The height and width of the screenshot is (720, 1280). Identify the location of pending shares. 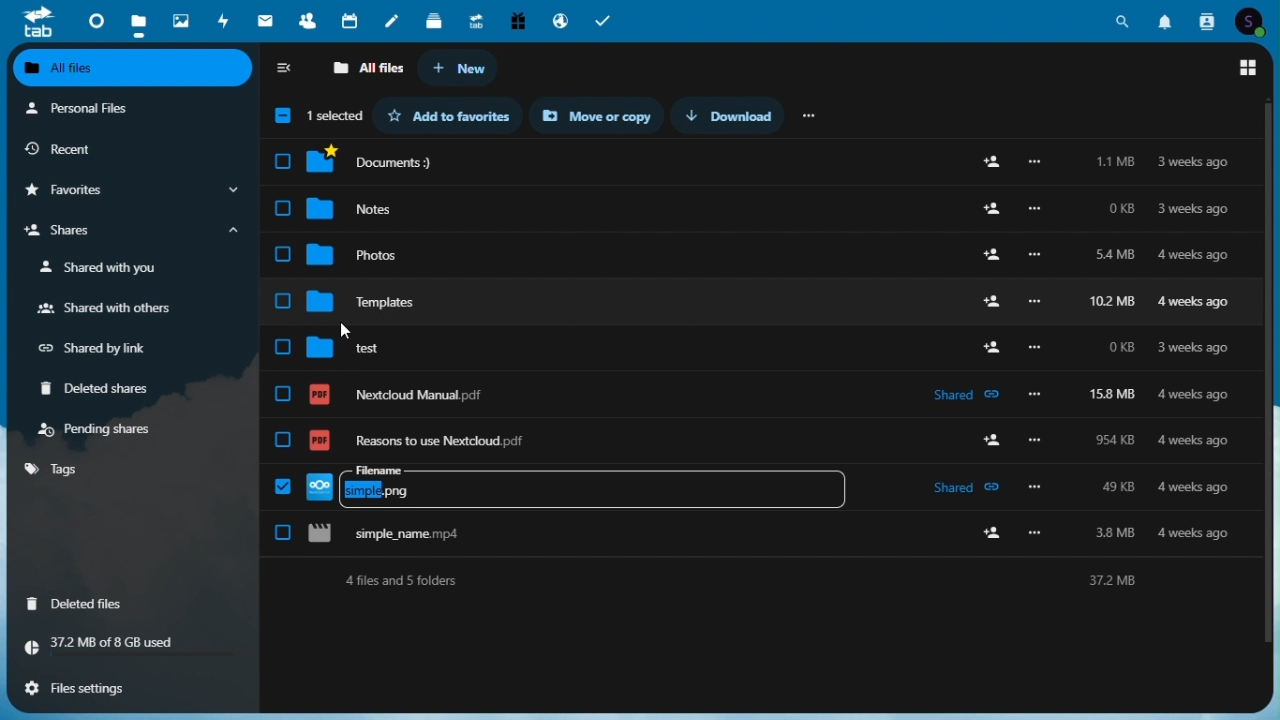
(100, 429).